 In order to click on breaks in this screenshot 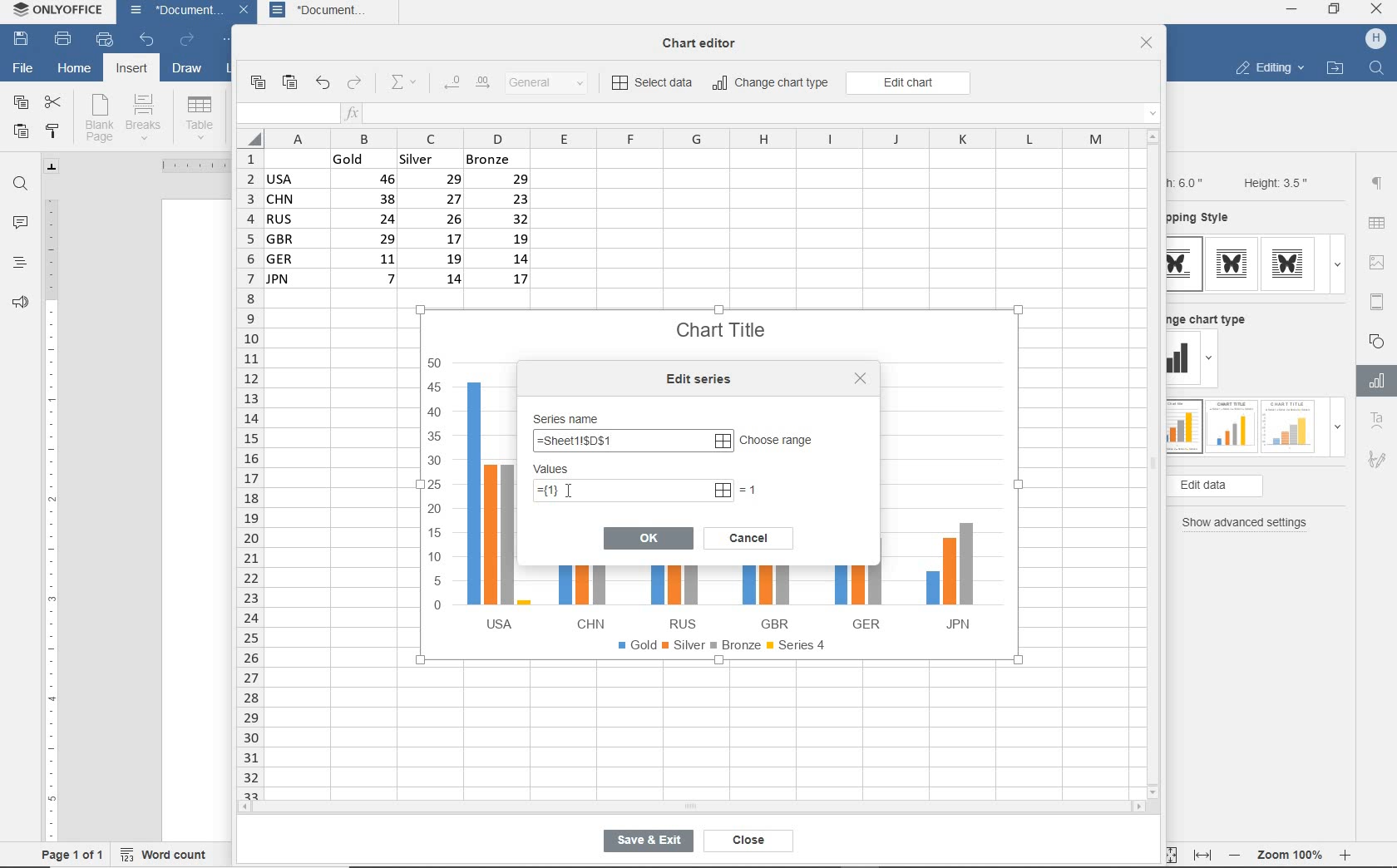, I will do `click(146, 117)`.